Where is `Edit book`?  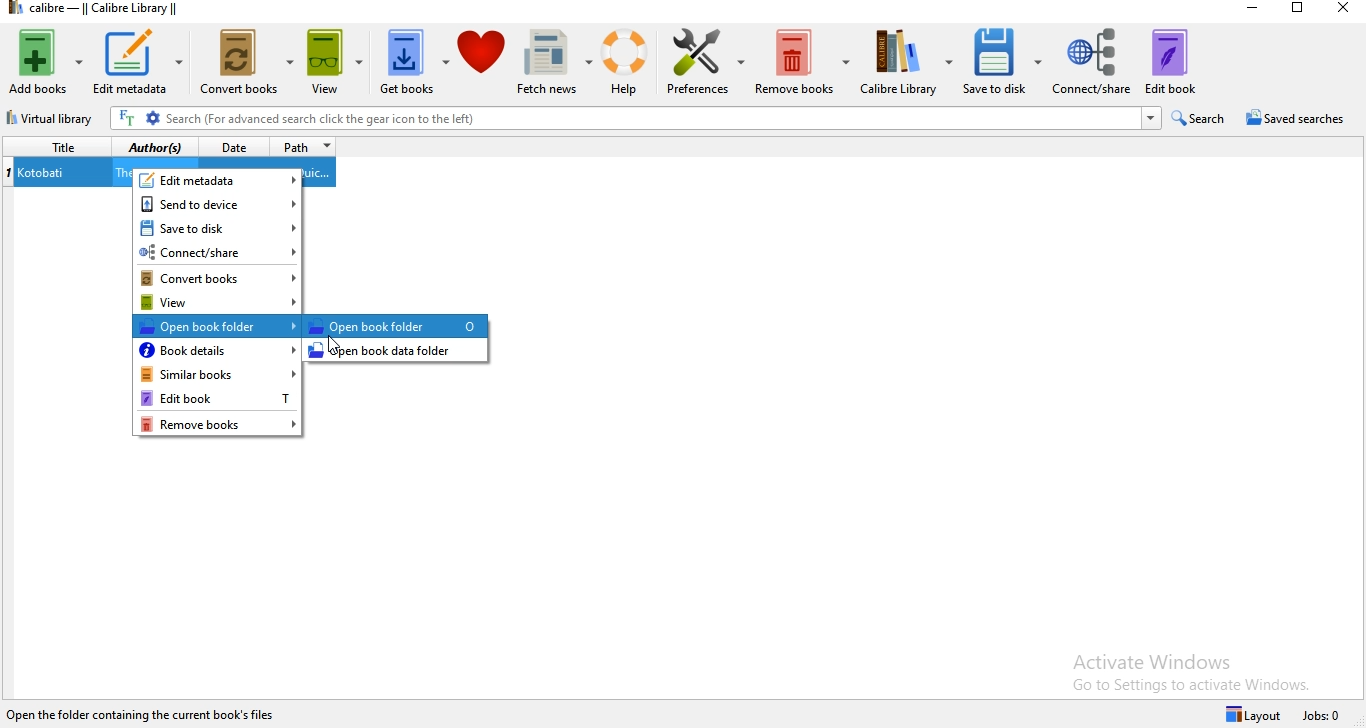
Edit book is located at coordinates (218, 398).